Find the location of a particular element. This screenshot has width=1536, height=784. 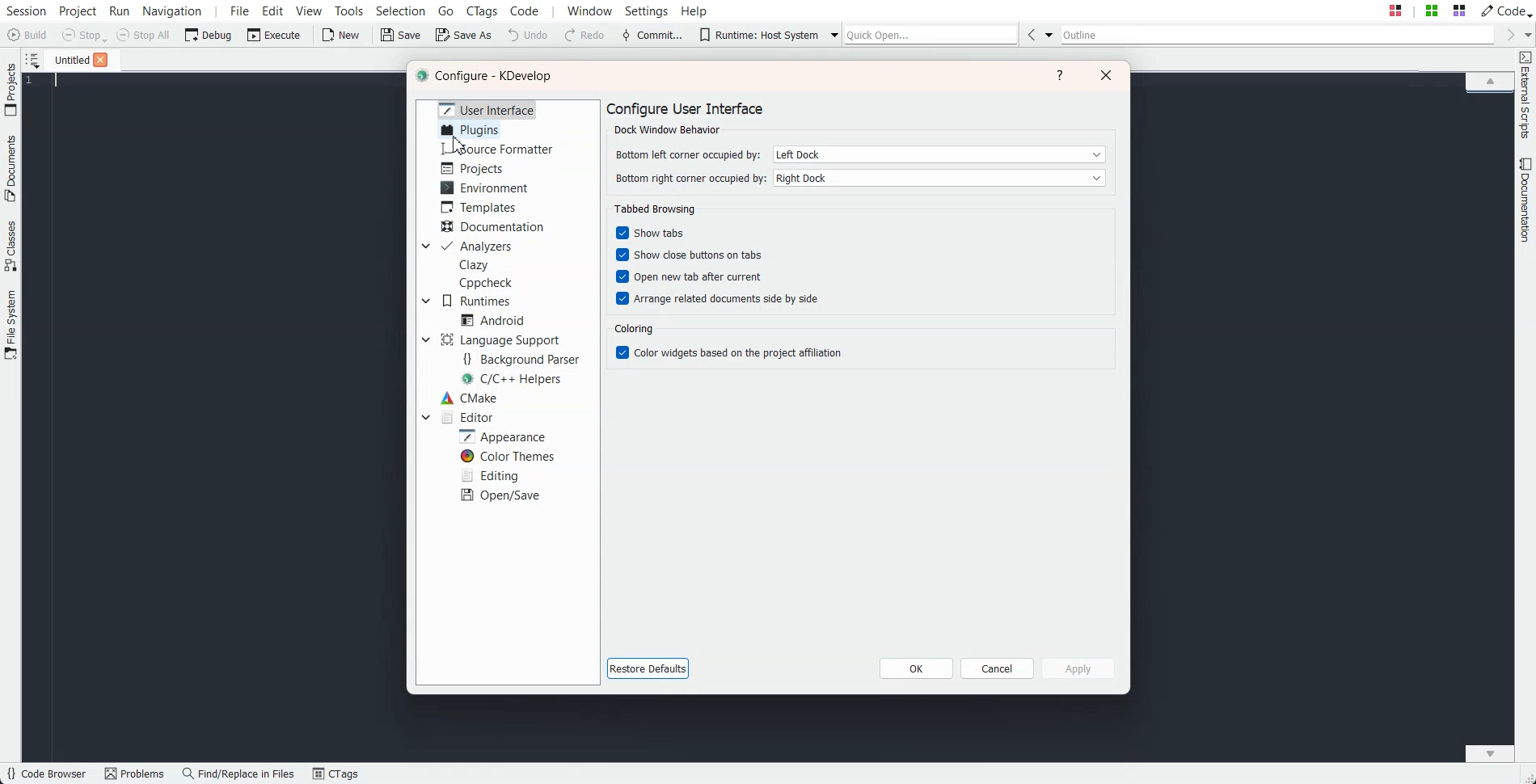

External Scripts is located at coordinates (1525, 95).